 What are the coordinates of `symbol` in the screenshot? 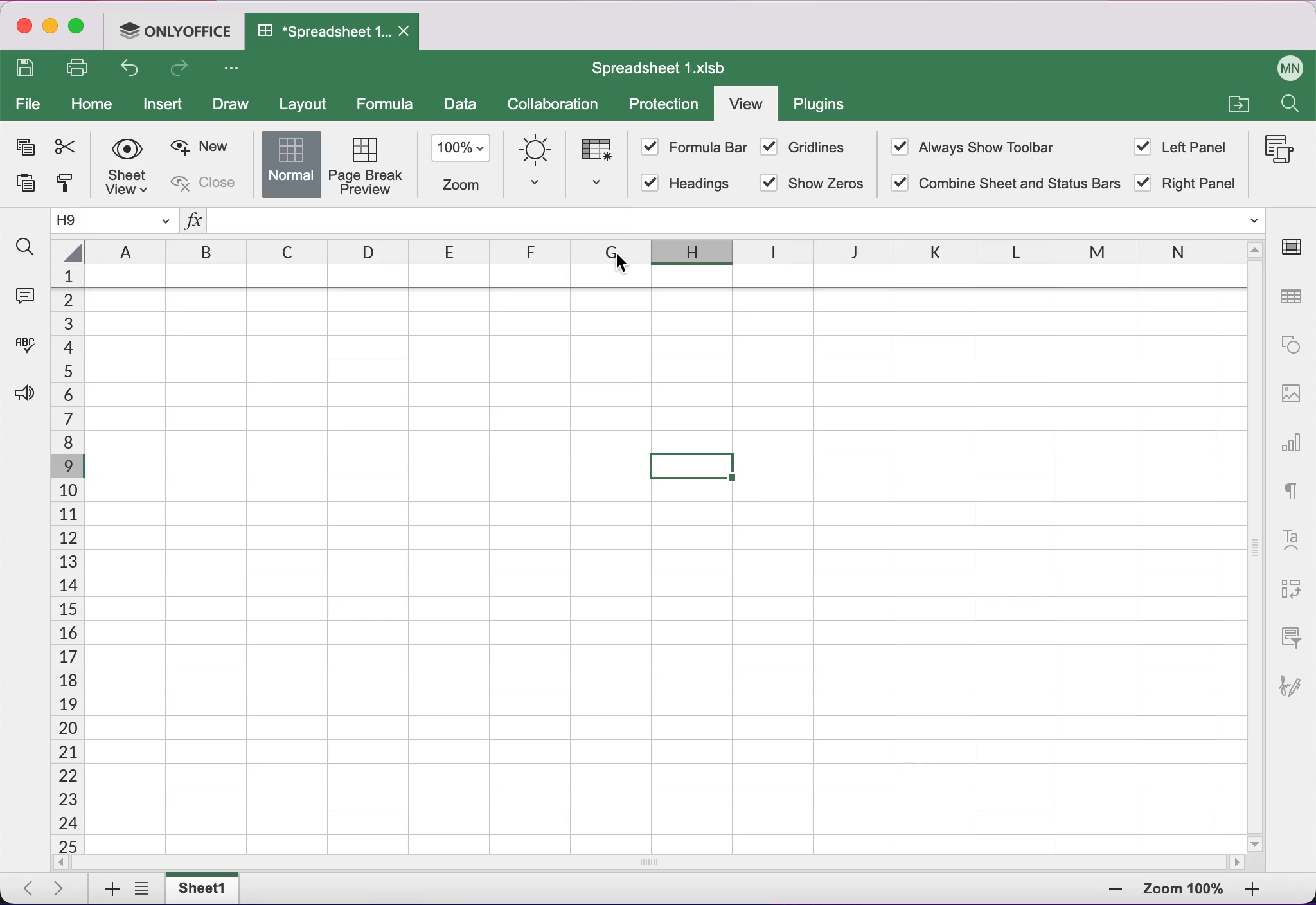 It's located at (1186, 165).